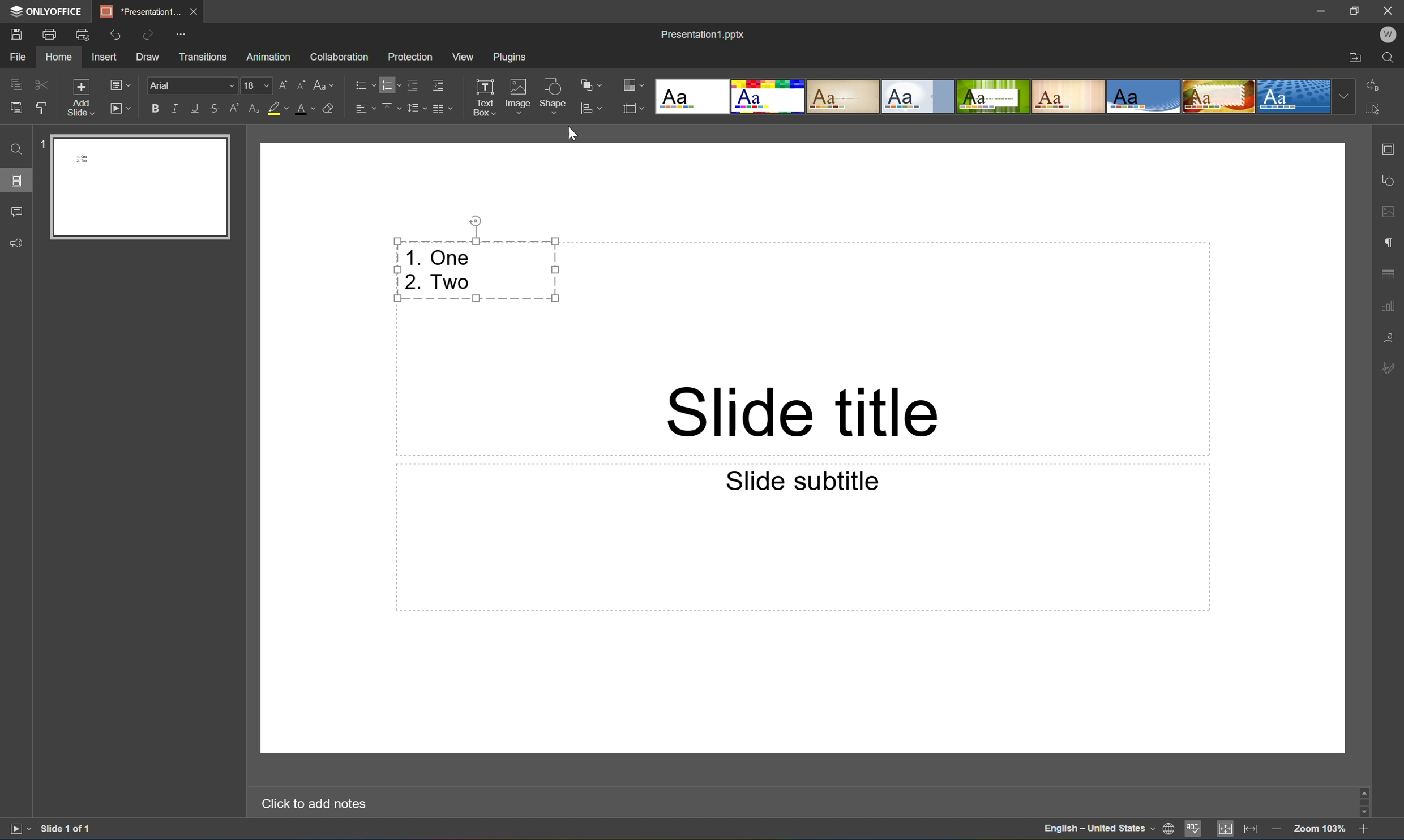 This screenshot has width=1404, height=840. Describe the element at coordinates (1373, 107) in the screenshot. I see `Select all` at that location.